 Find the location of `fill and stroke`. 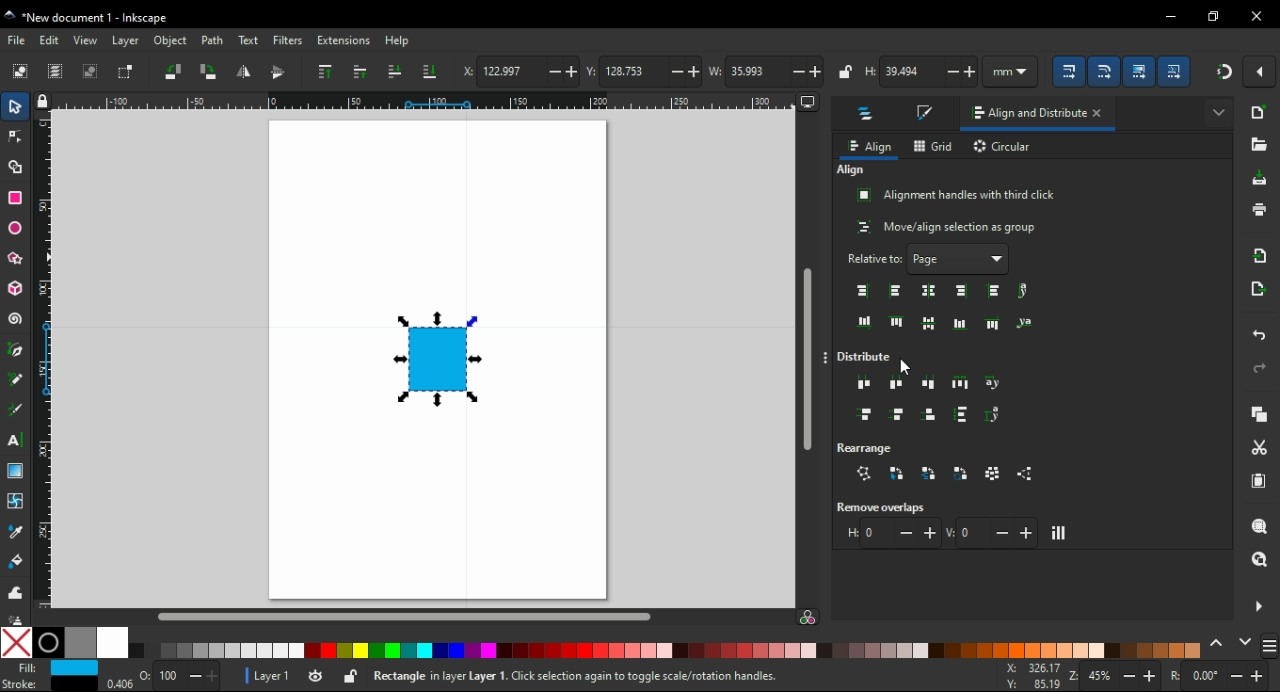

fill and stroke is located at coordinates (927, 114).